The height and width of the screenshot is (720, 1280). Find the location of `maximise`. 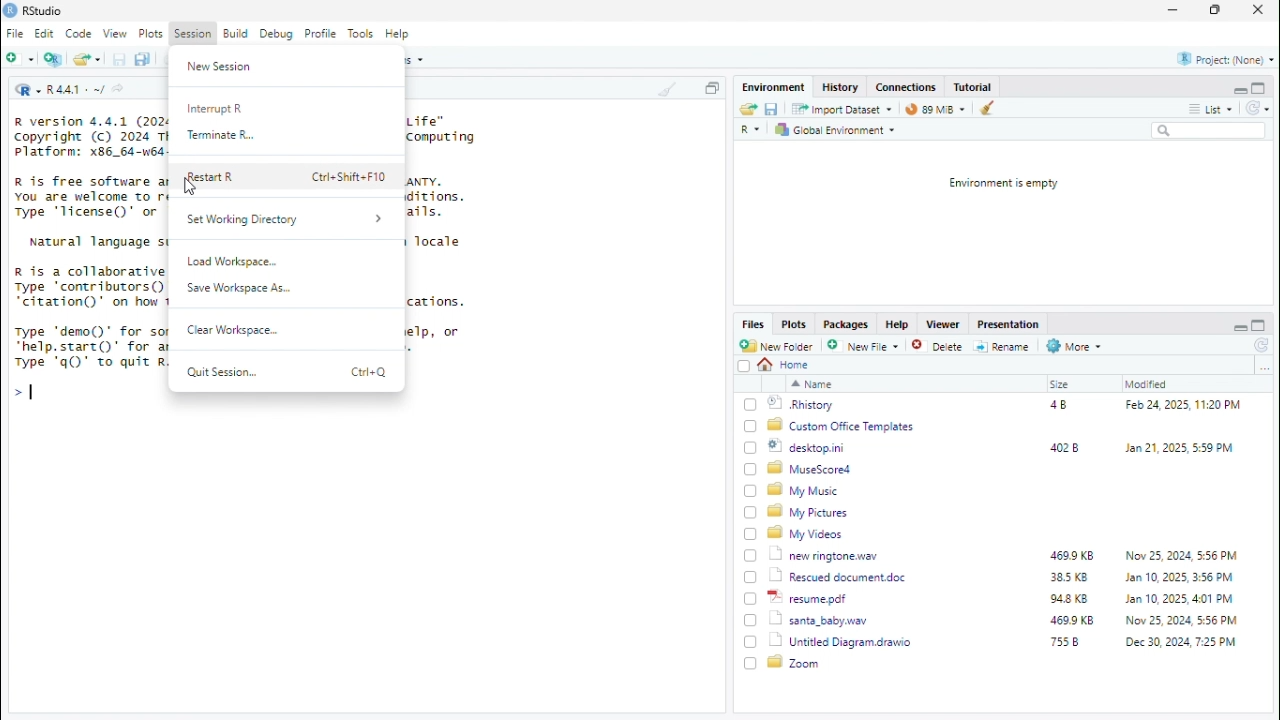

maximise is located at coordinates (1259, 87).